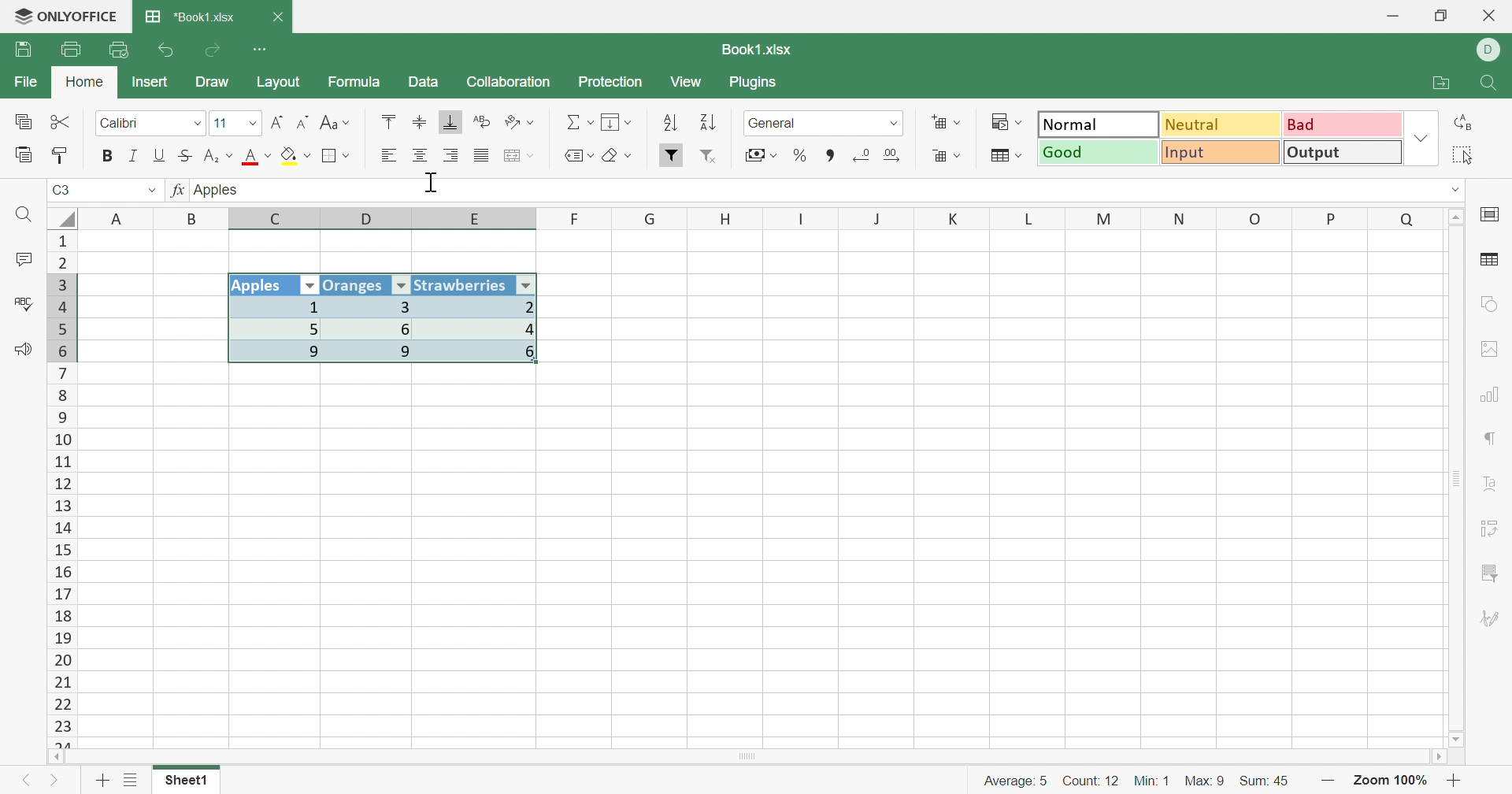 The width and height of the screenshot is (1512, 794). Describe the element at coordinates (1458, 215) in the screenshot. I see `Scroll Up` at that location.